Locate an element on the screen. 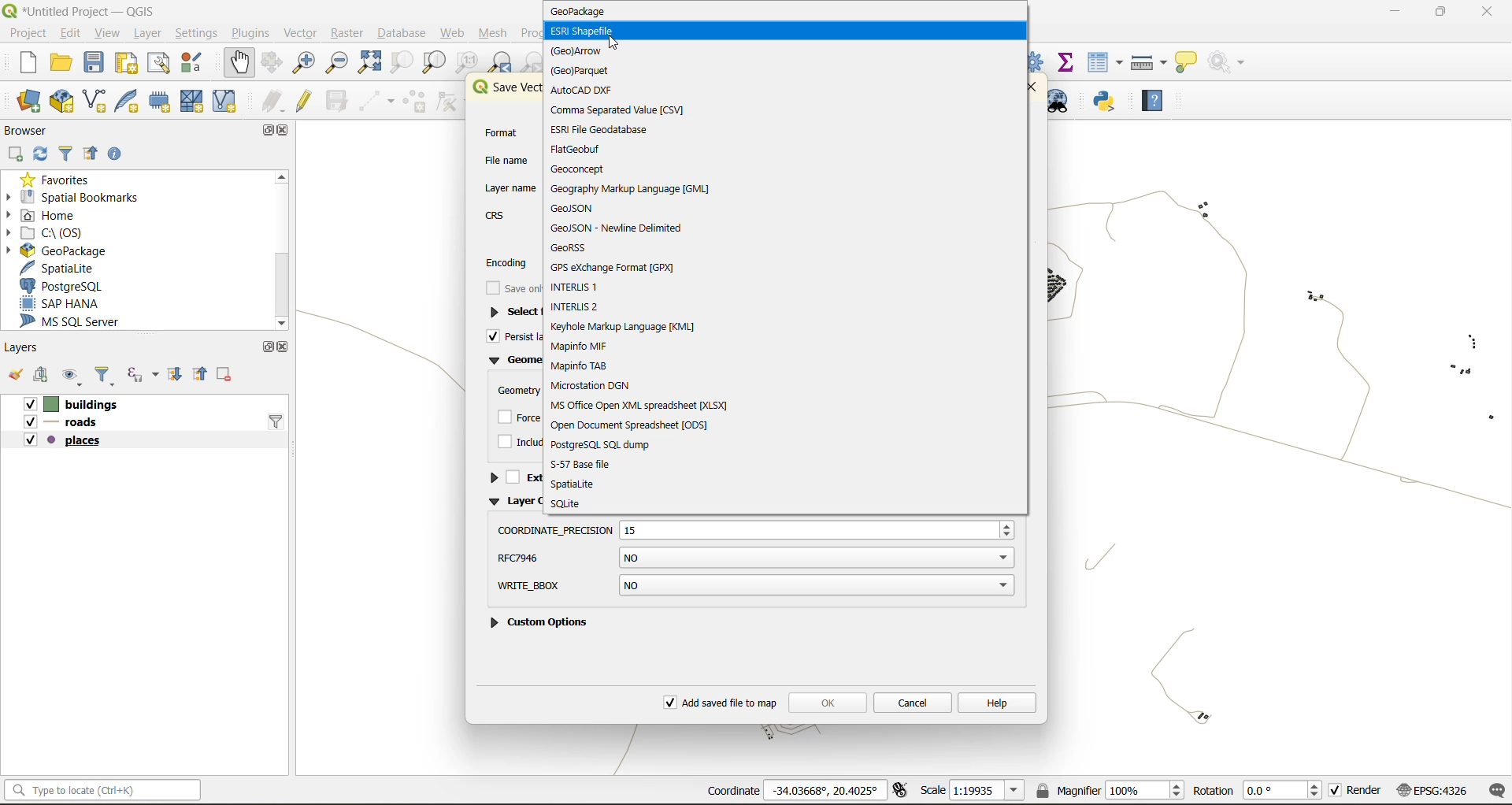 Image resolution: width=1512 pixels, height=805 pixels. esri file geodatabase is located at coordinates (602, 131).